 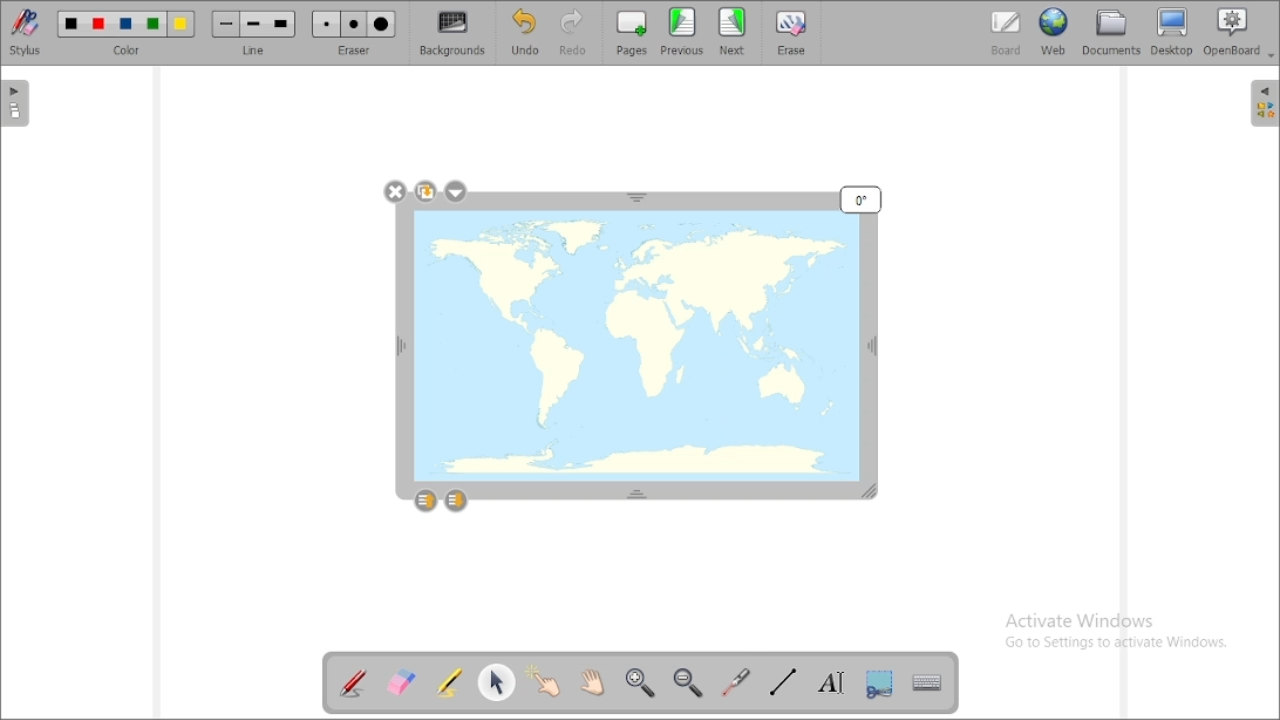 What do you see at coordinates (448, 682) in the screenshot?
I see `highlight` at bounding box center [448, 682].